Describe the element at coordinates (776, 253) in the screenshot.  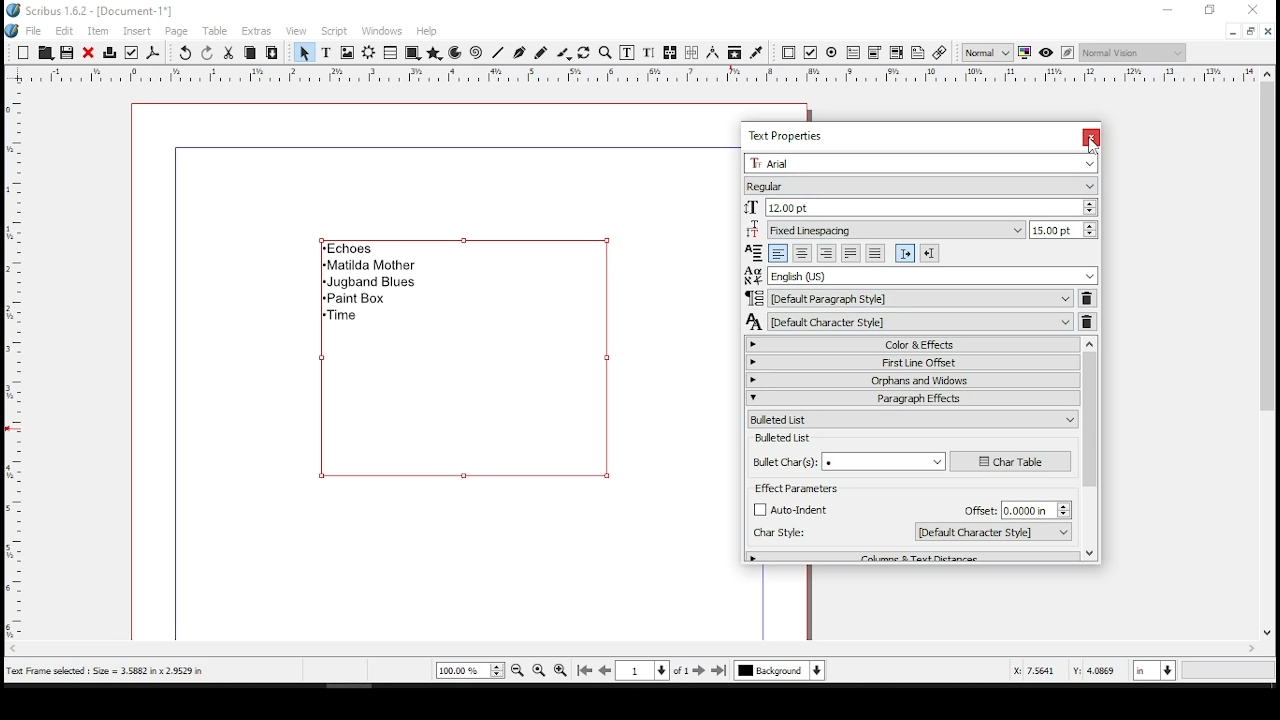
I see `align text left` at that location.